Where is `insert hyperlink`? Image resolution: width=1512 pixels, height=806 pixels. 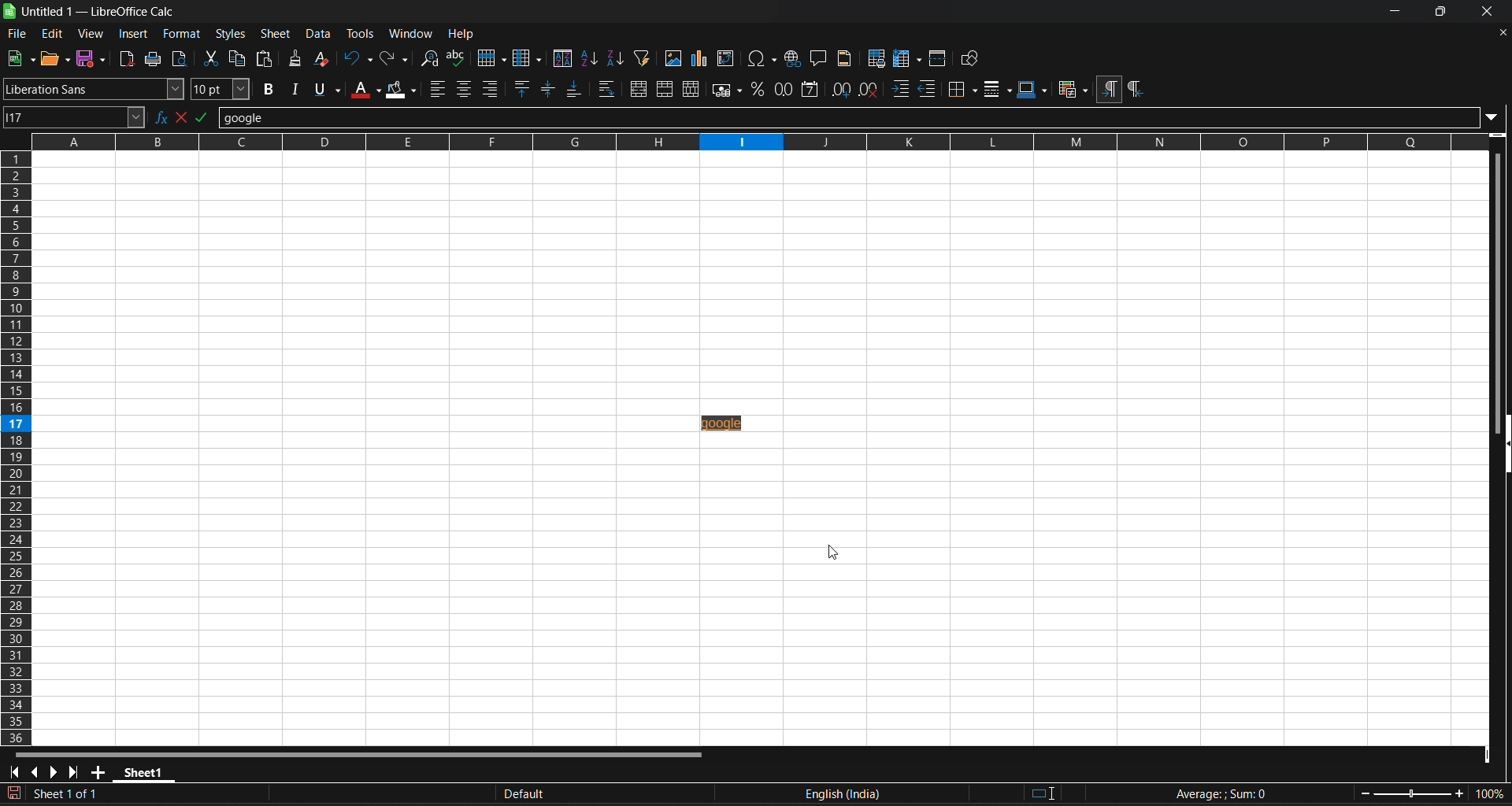 insert hyperlink is located at coordinates (793, 59).